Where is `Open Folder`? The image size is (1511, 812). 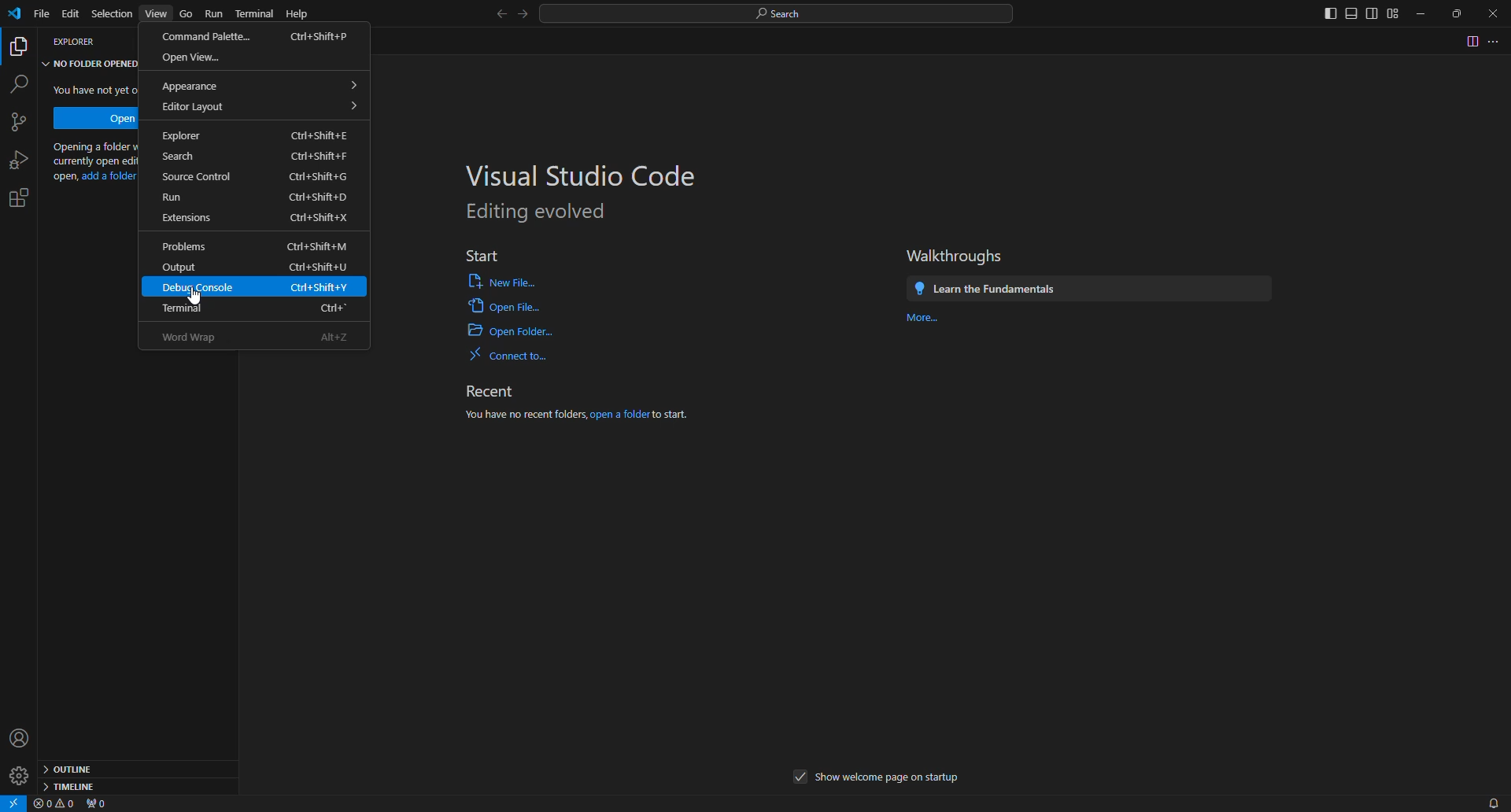
Open Folder is located at coordinates (511, 334).